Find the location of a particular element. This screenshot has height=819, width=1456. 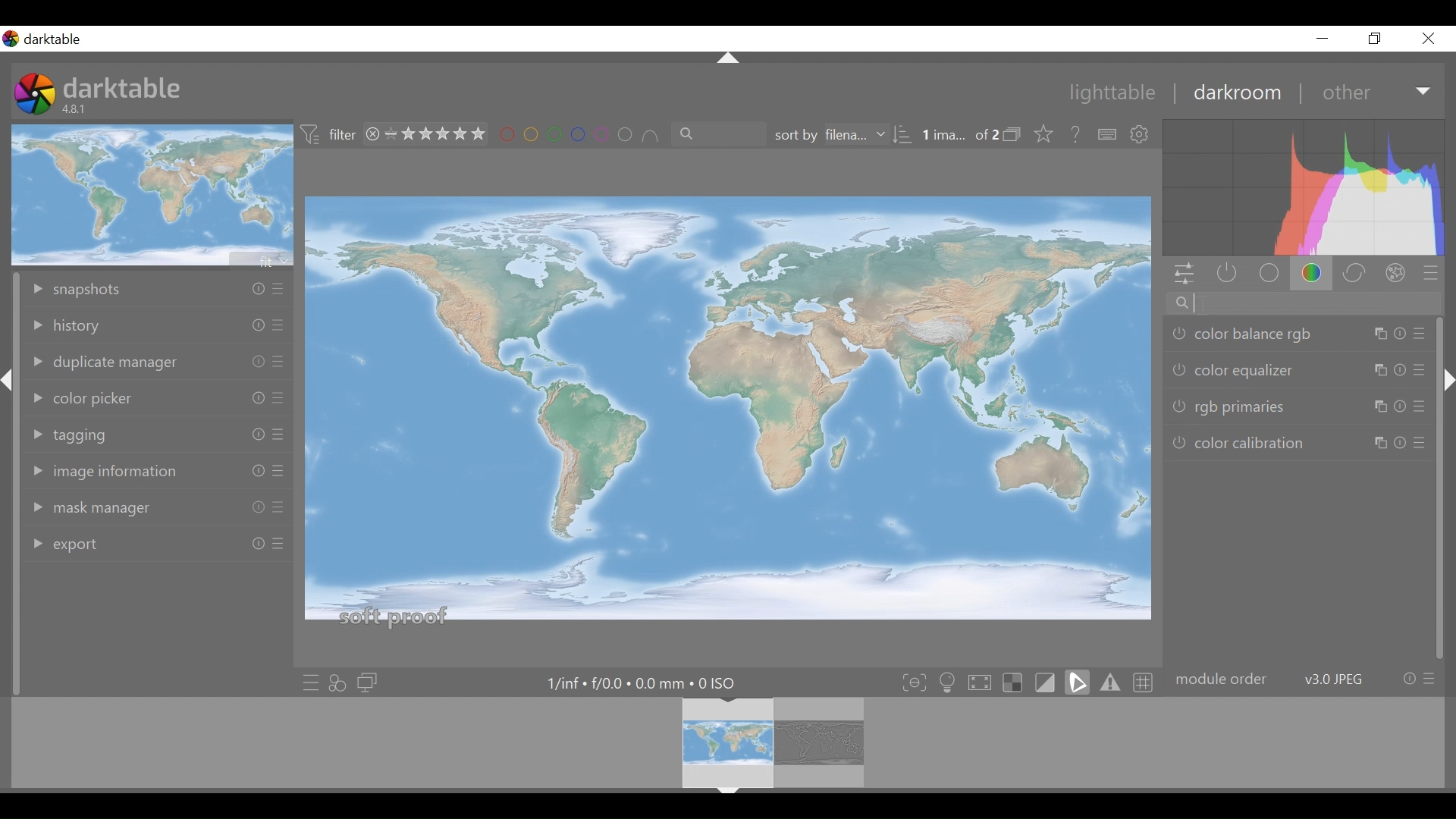

Histogram is located at coordinates (1309, 187).